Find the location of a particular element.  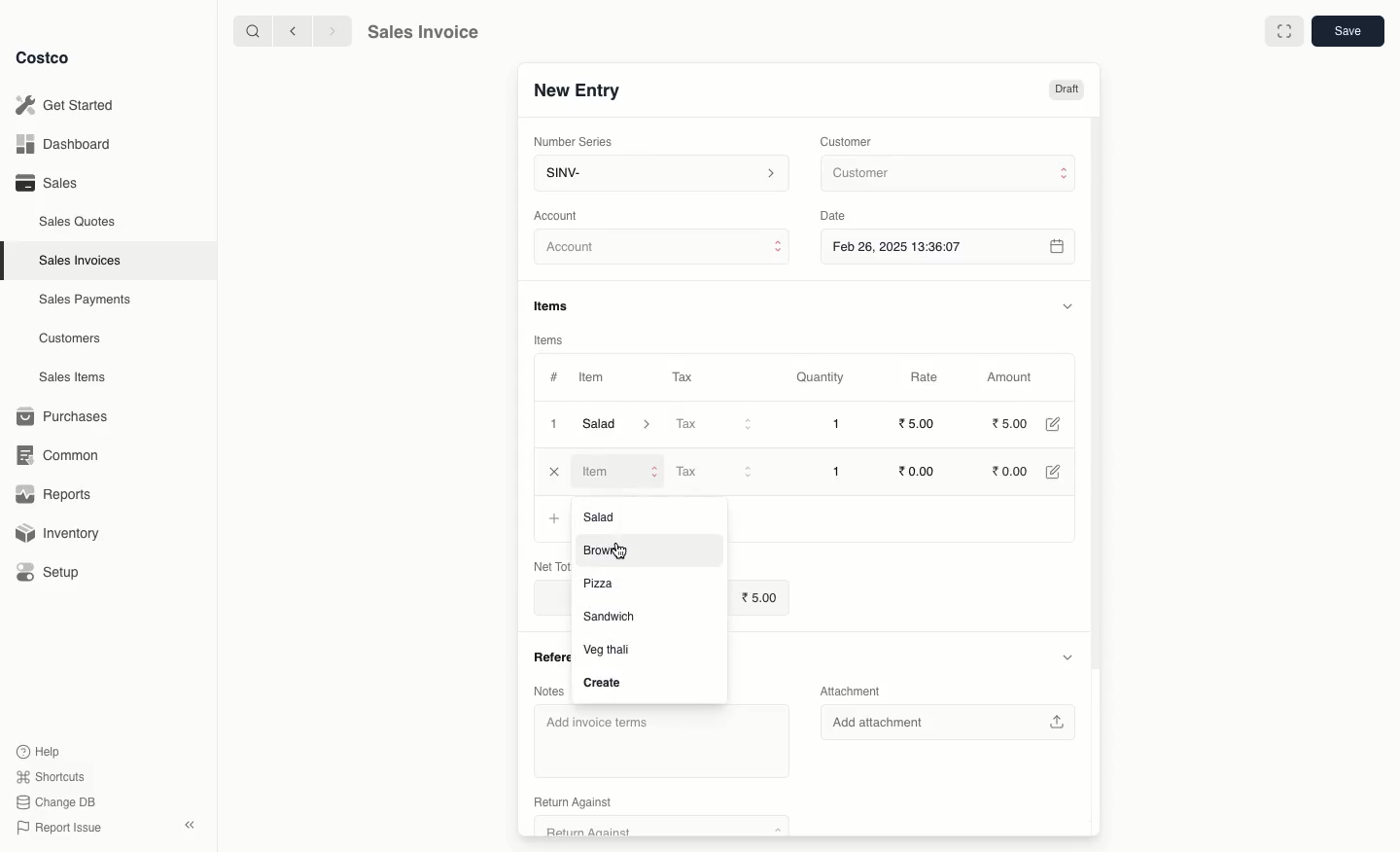

Forward is located at coordinates (332, 32).